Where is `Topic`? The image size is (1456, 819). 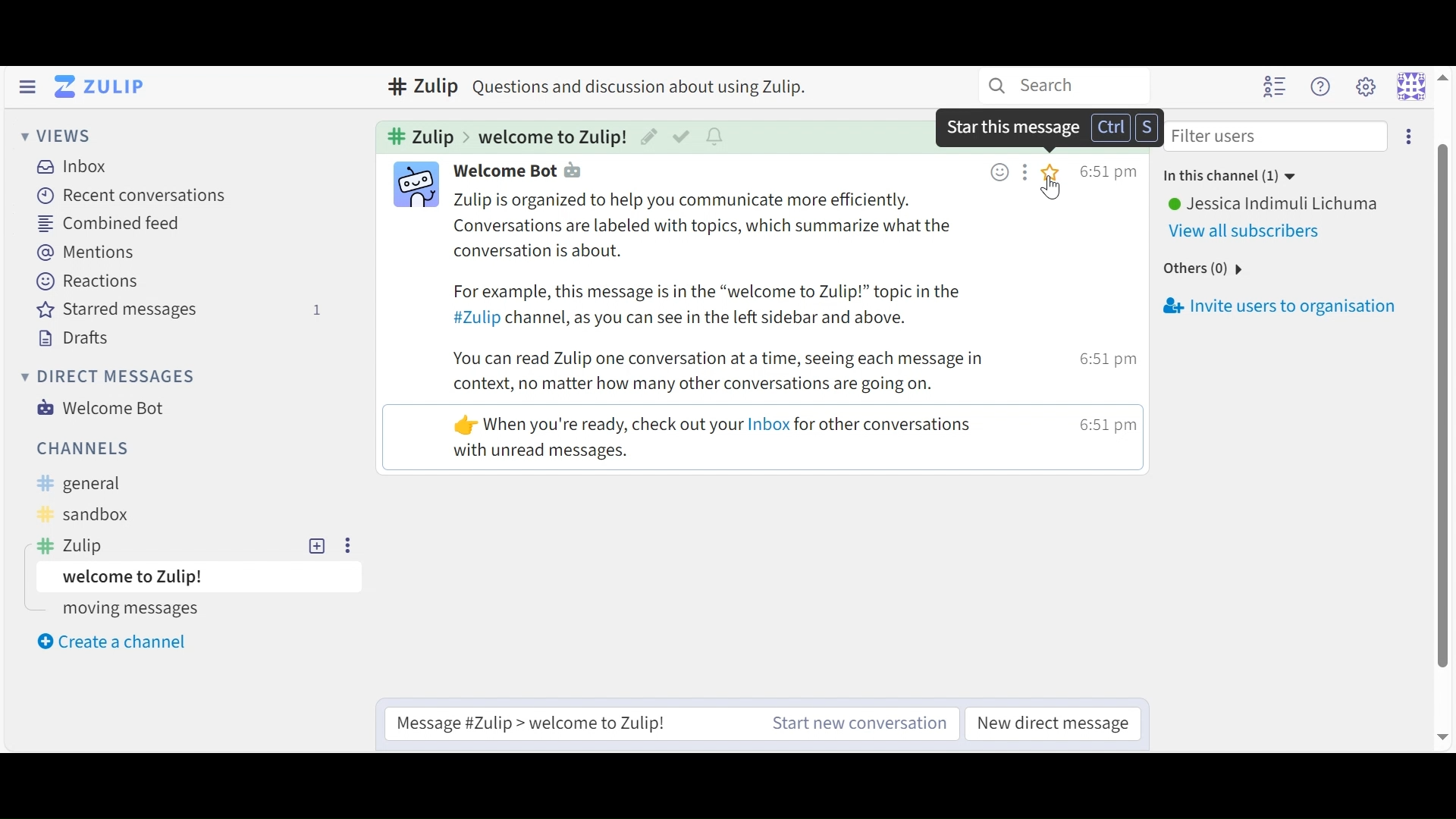 Topic is located at coordinates (206, 579).